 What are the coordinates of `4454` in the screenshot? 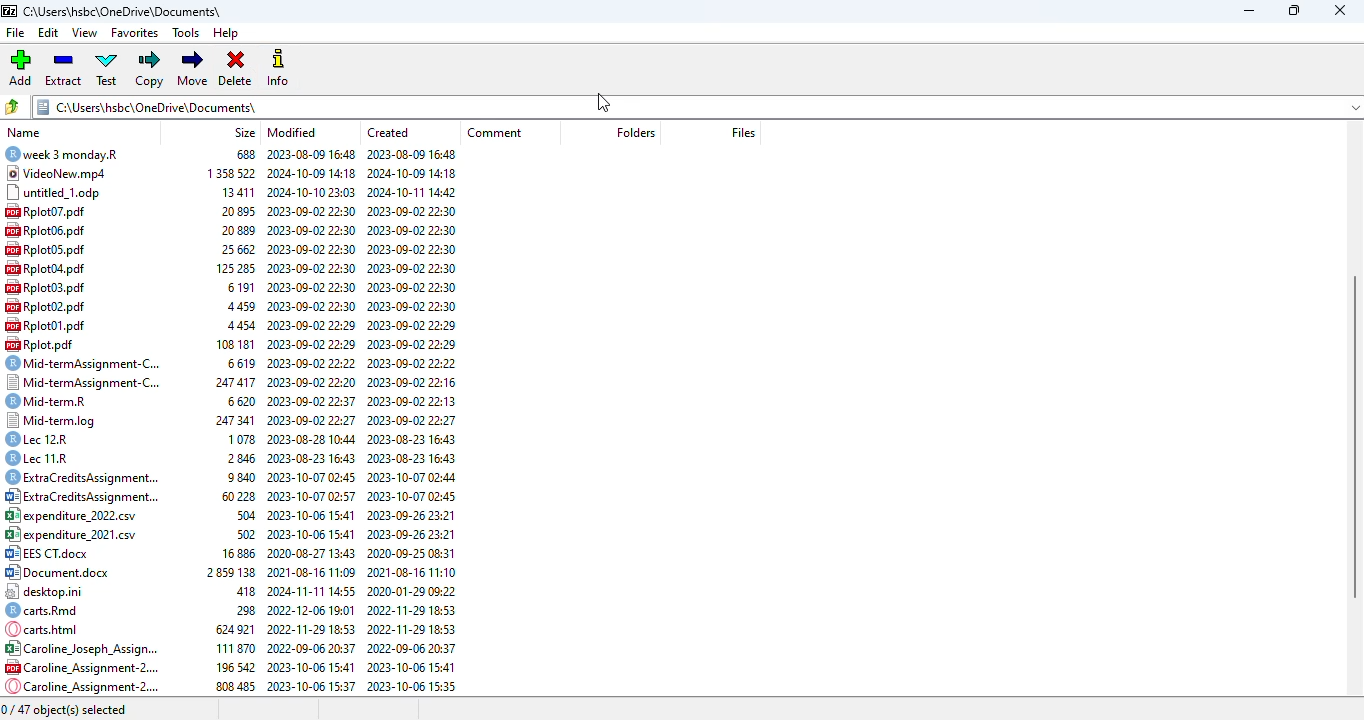 It's located at (235, 325).